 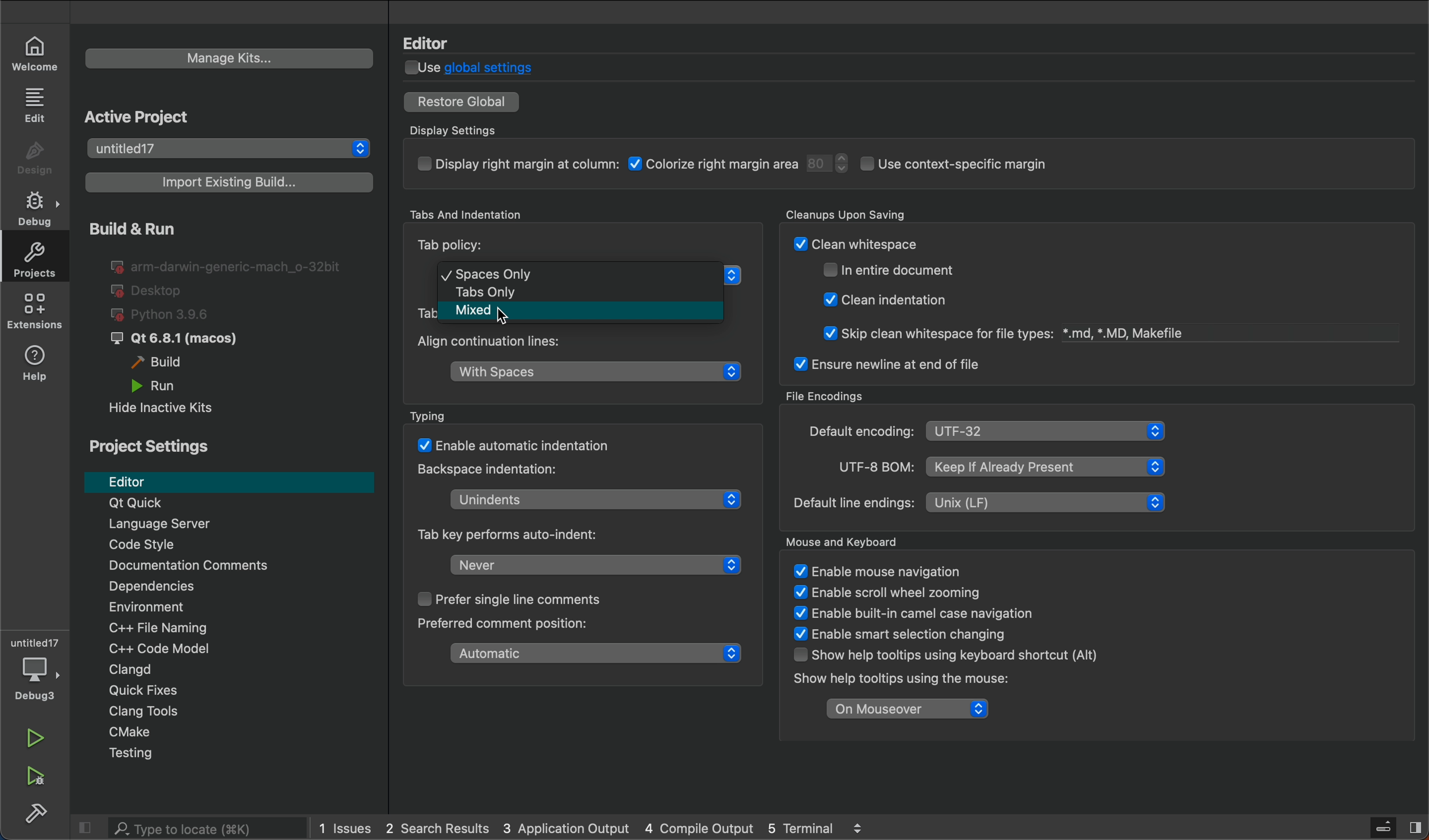 I want to click on global settings, so click(x=481, y=67).